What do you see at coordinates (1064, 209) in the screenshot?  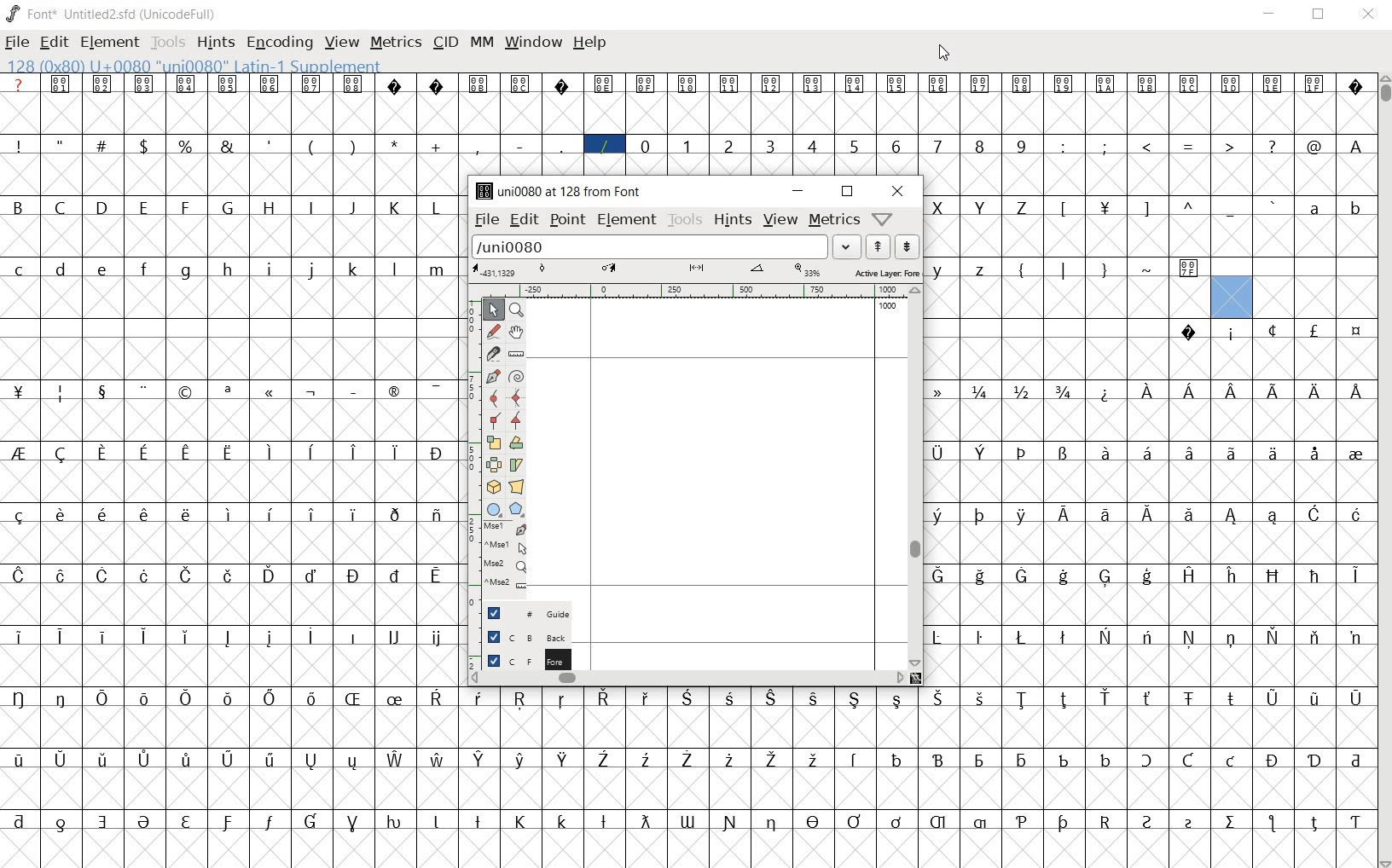 I see `glyph` at bounding box center [1064, 209].